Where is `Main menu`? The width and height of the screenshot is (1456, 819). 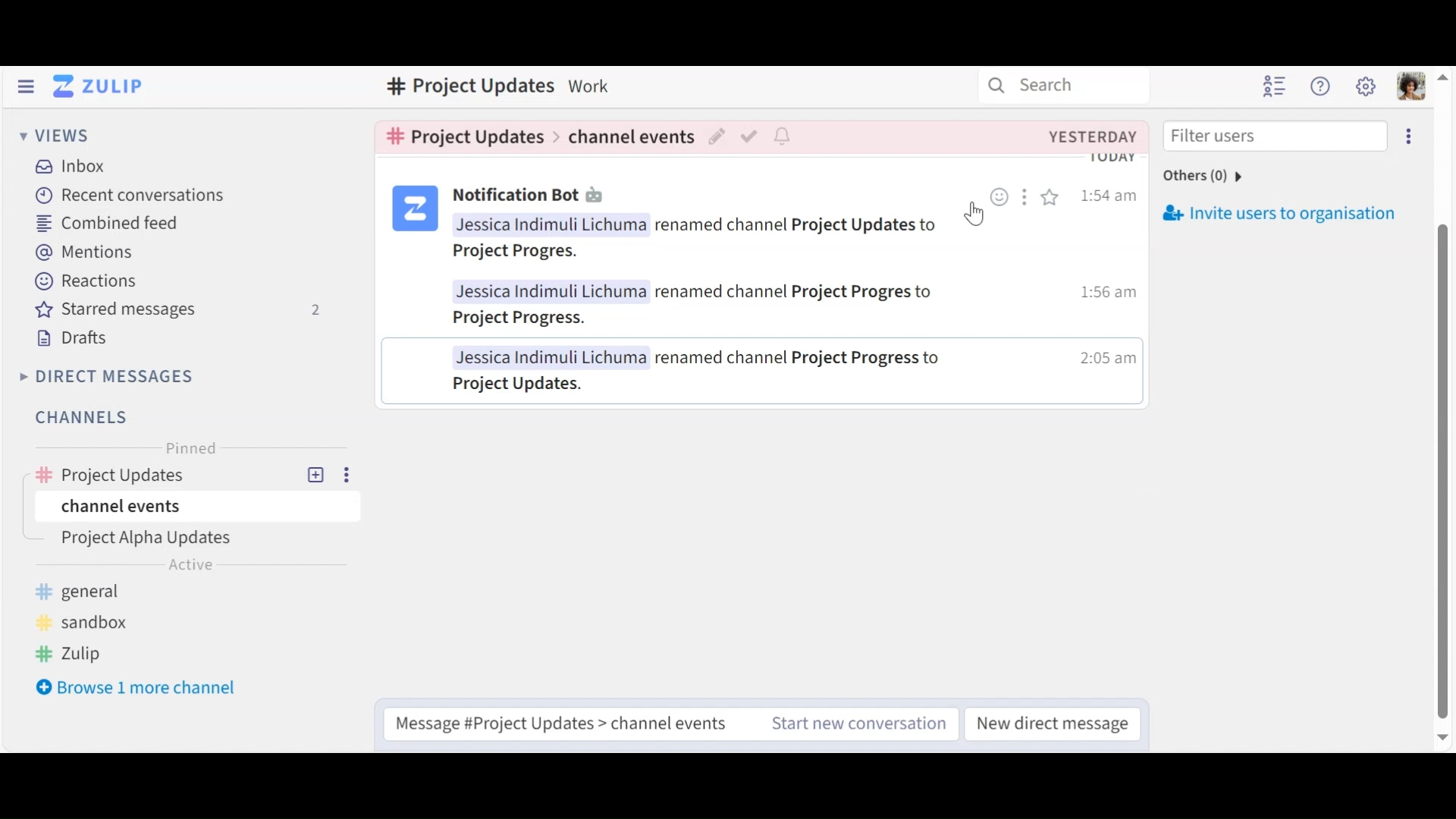
Main menu is located at coordinates (1367, 88).